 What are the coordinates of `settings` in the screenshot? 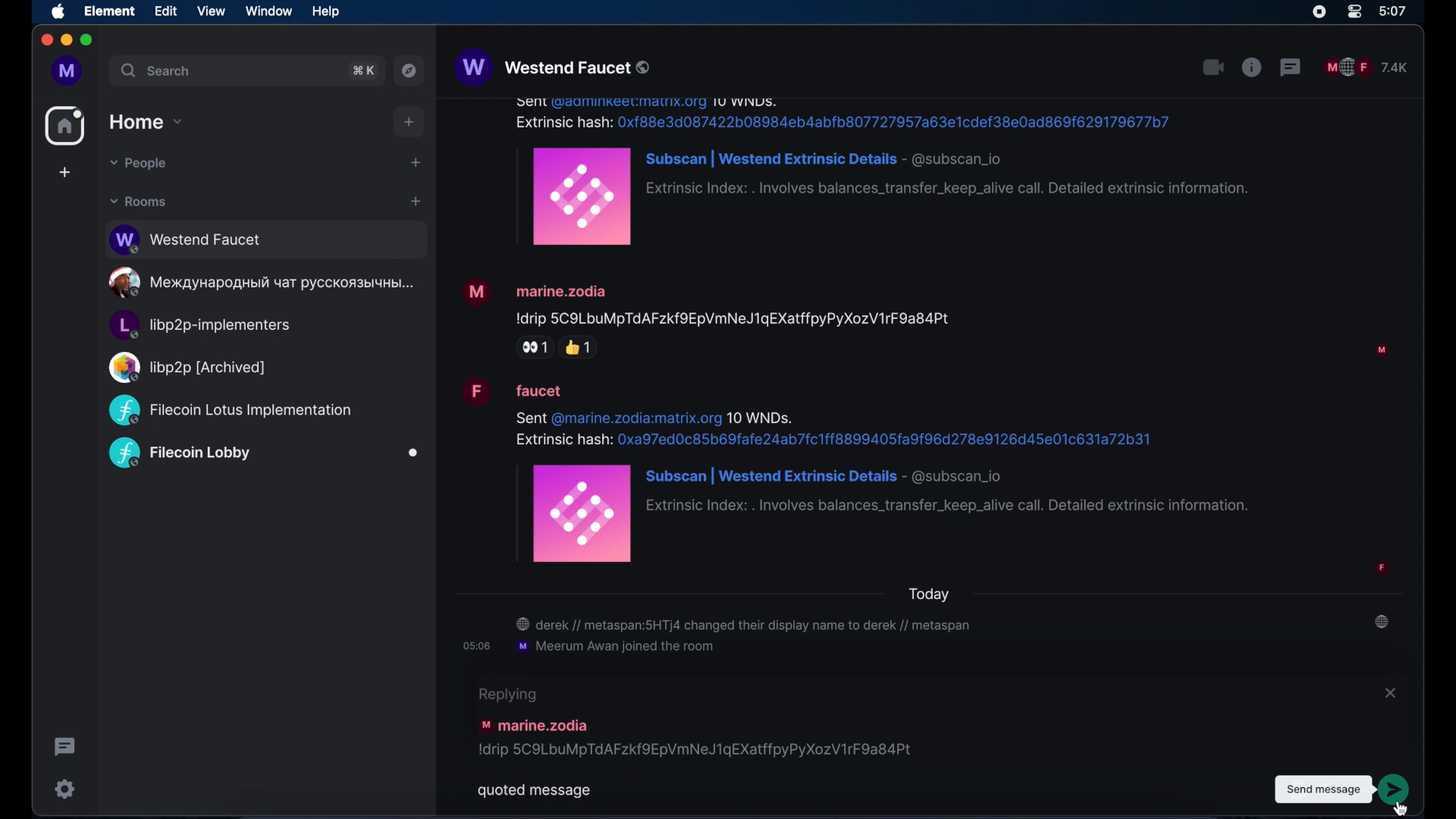 It's located at (65, 789).